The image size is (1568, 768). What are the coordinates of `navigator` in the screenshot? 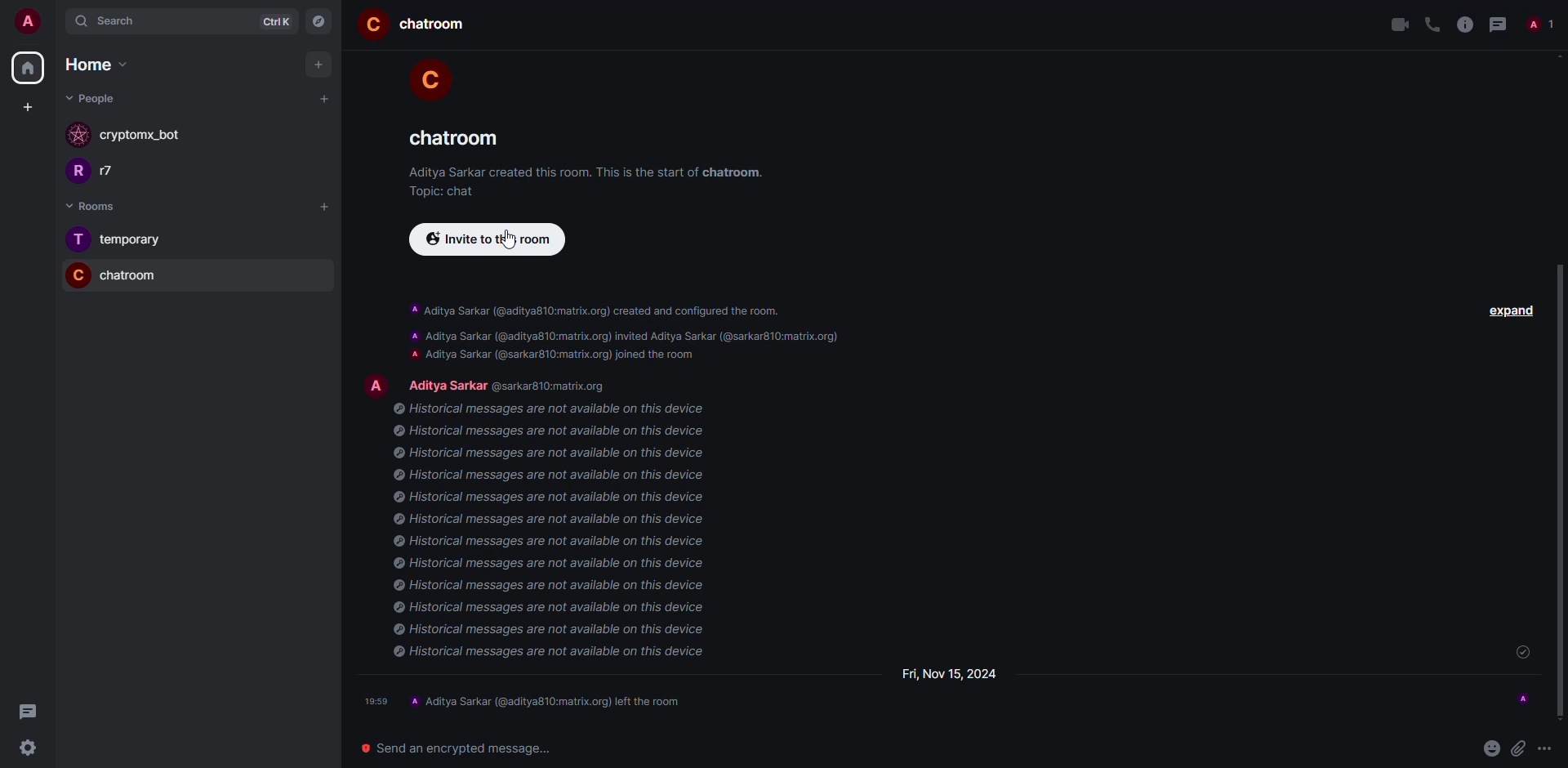 It's located at (320, 22).